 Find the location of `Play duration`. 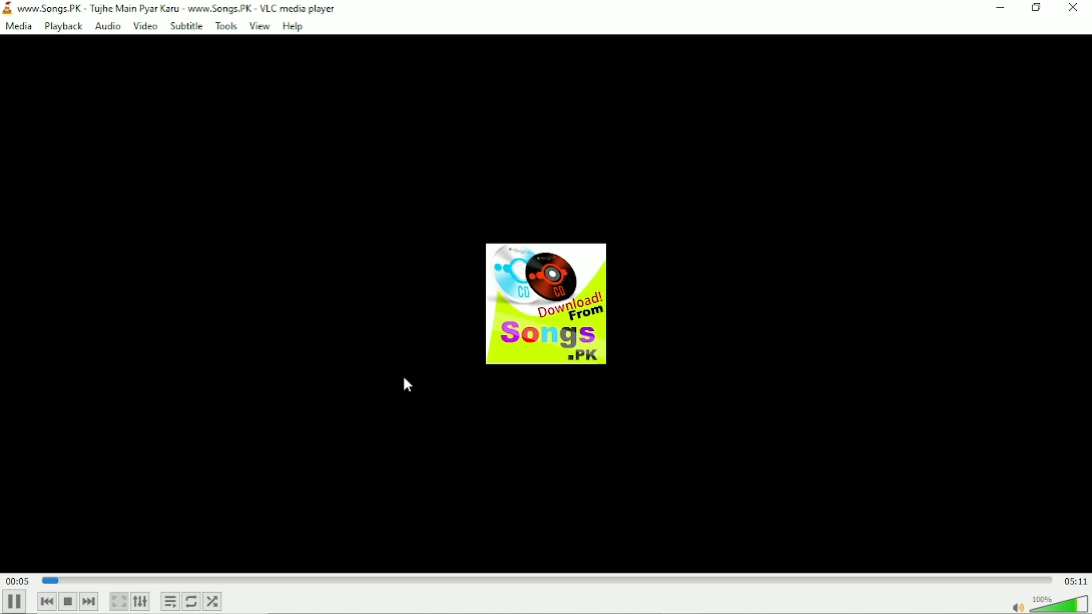

Play duration is located at coordinates (544, 580).